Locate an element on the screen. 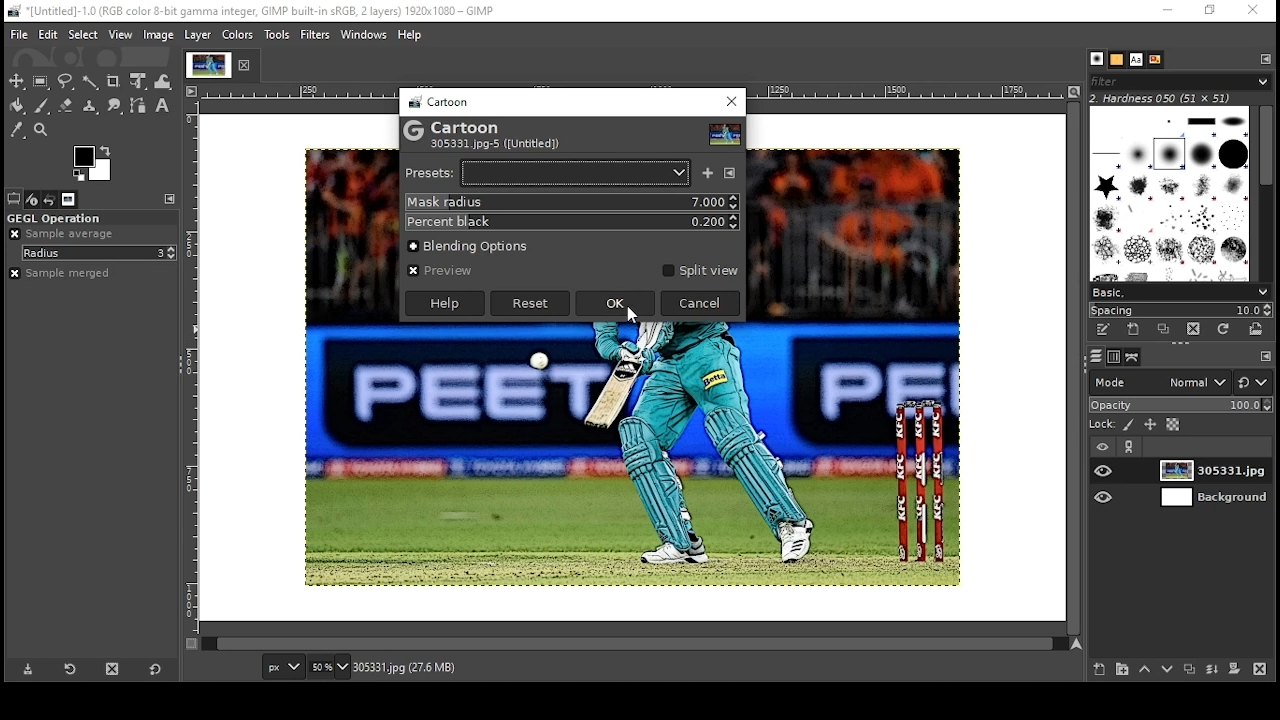 Image resolution: width=1280 pixels, height=720 pixels. lock position and size is located at coordinates (1150, 425).